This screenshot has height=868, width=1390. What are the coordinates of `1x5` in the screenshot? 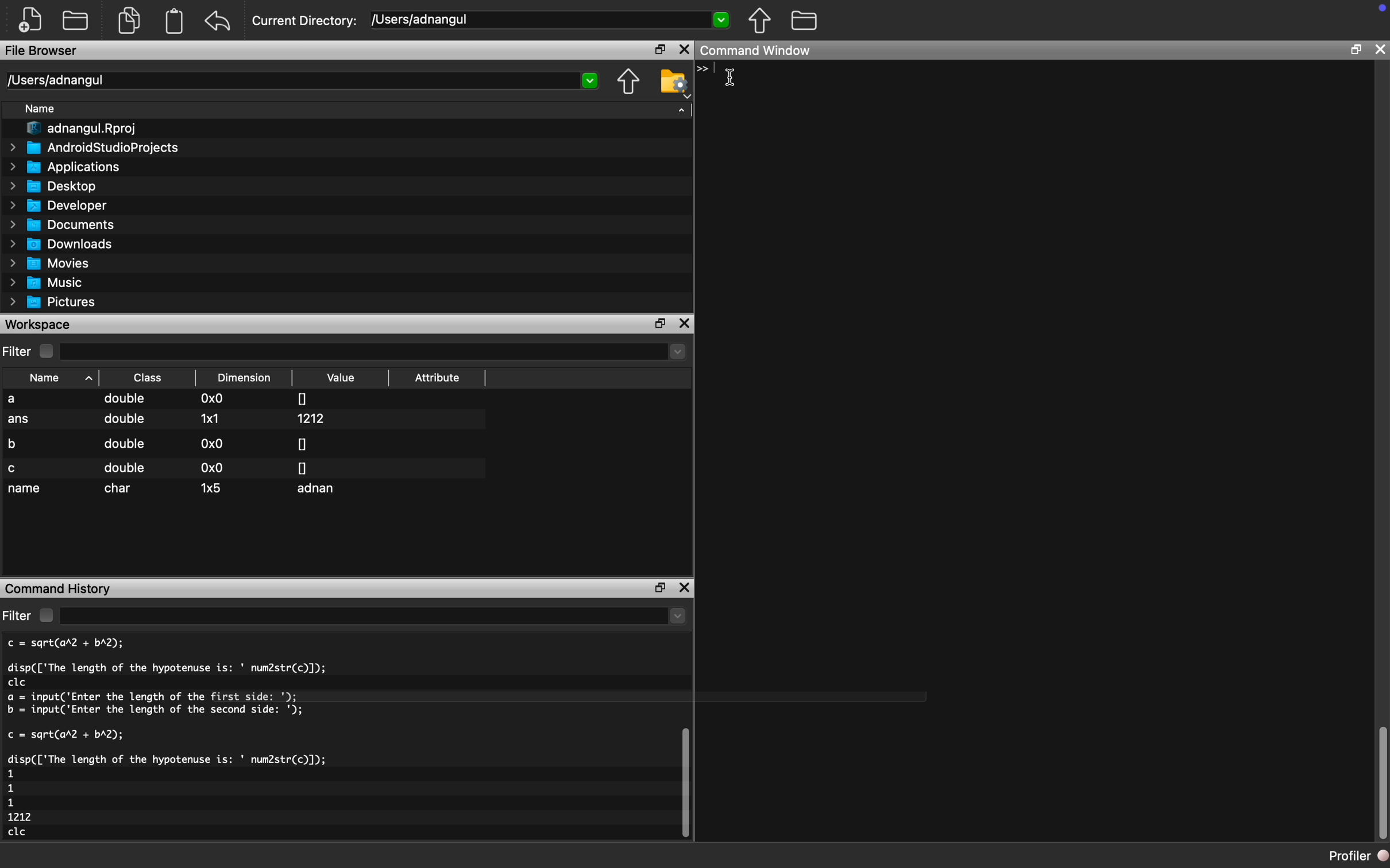 It's located at (212, 487).